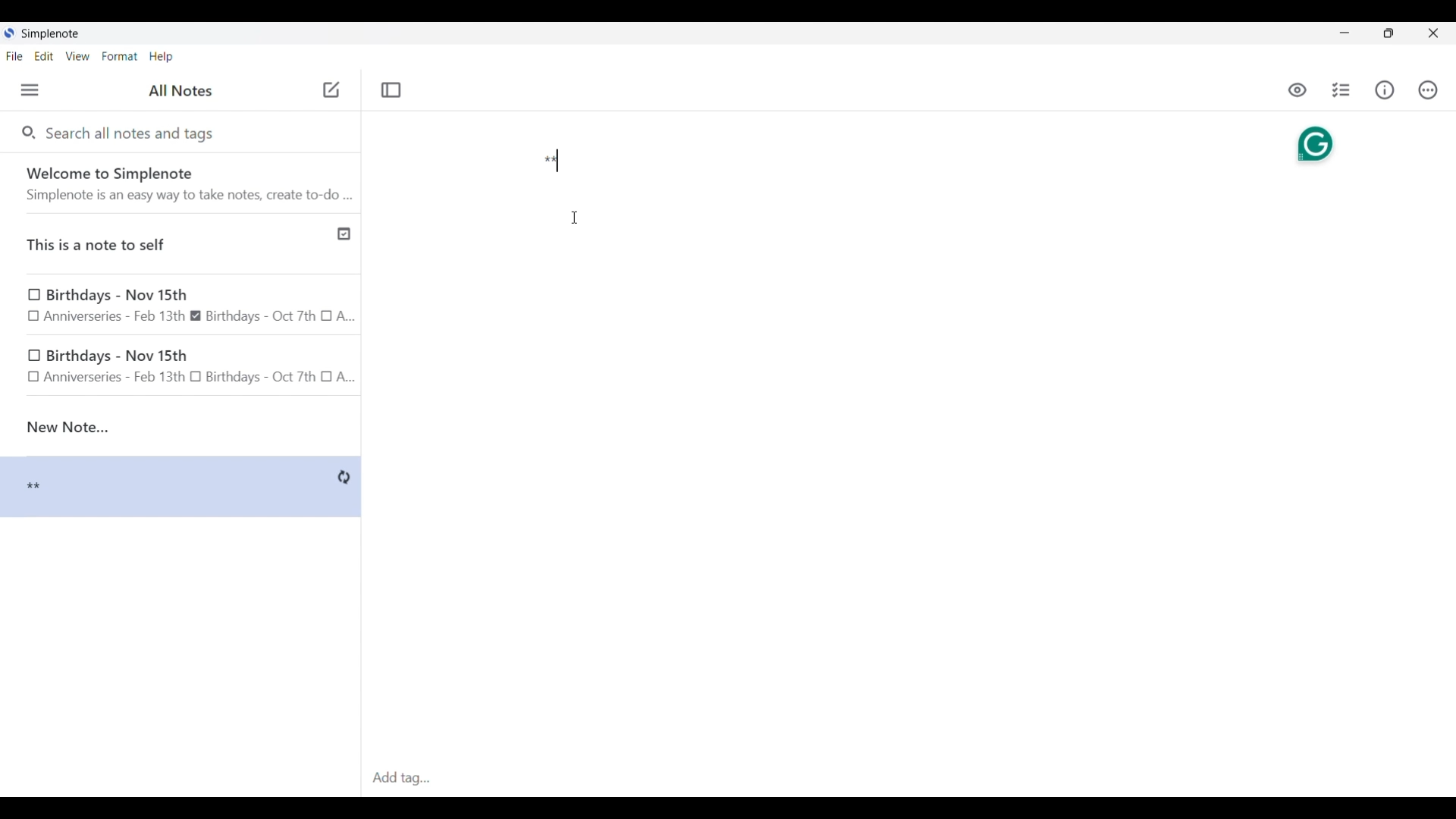  Describe the element at coordinates (908, 779) in the screenshot. I see `Click to type in tags` at that location.